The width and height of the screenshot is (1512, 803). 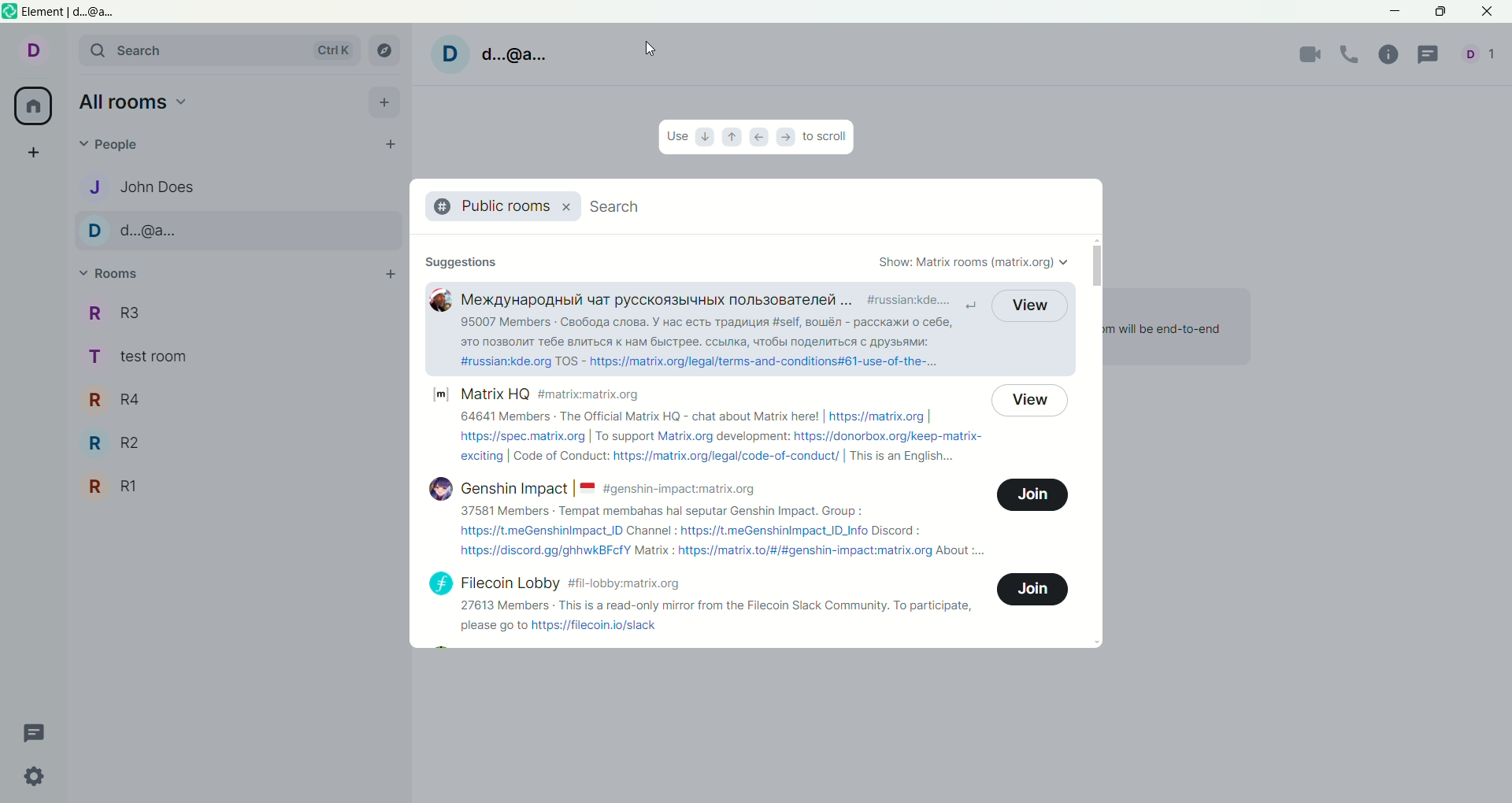 What do you see at coordinates (706, 332) in the screenshot?
I see `Room description written in Russian` at bounding box center [706, 332].